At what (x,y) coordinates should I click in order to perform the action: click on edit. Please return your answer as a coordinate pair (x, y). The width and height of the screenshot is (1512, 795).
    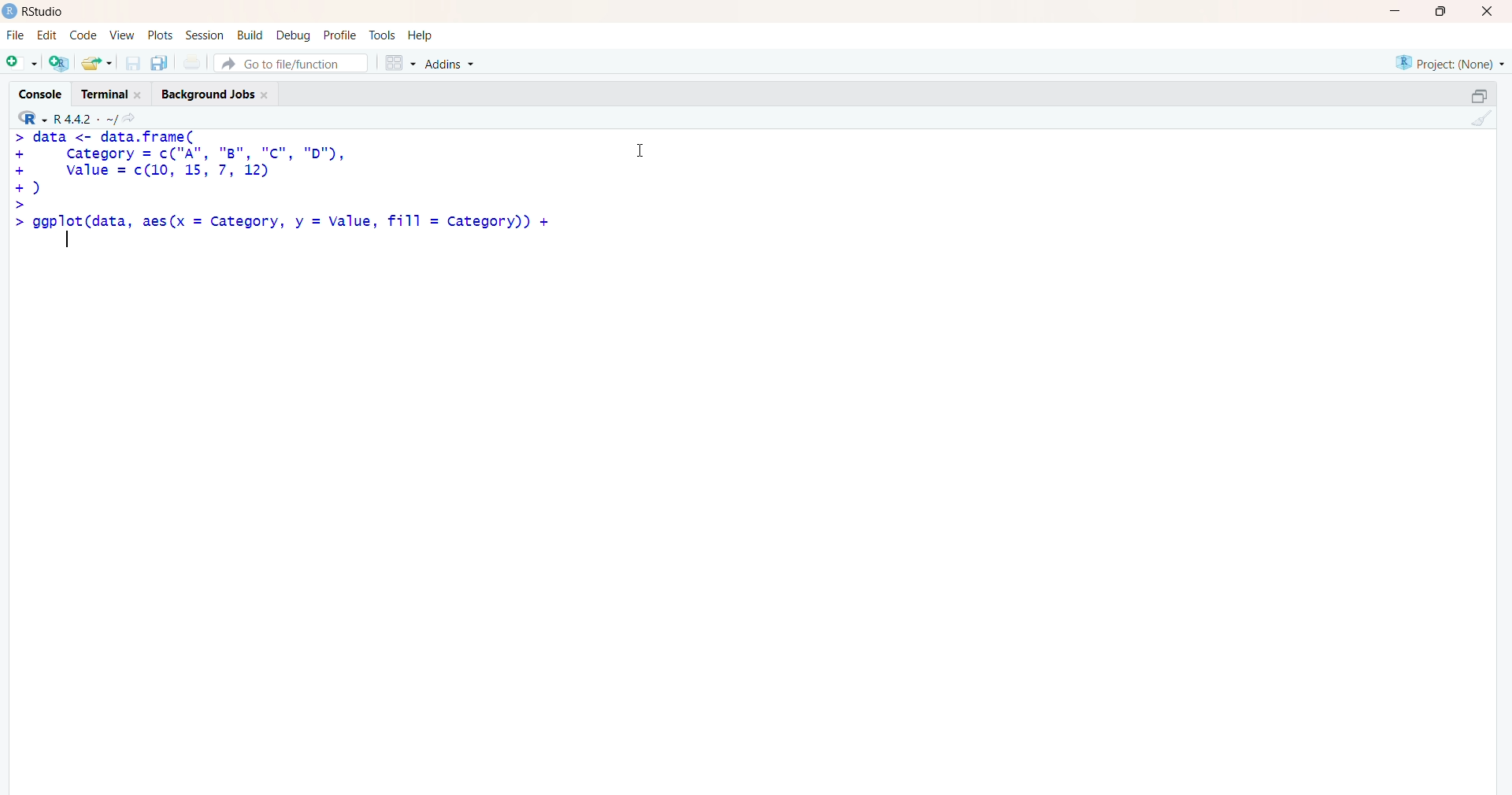
    Looking at the image, I should click on (47, 35).